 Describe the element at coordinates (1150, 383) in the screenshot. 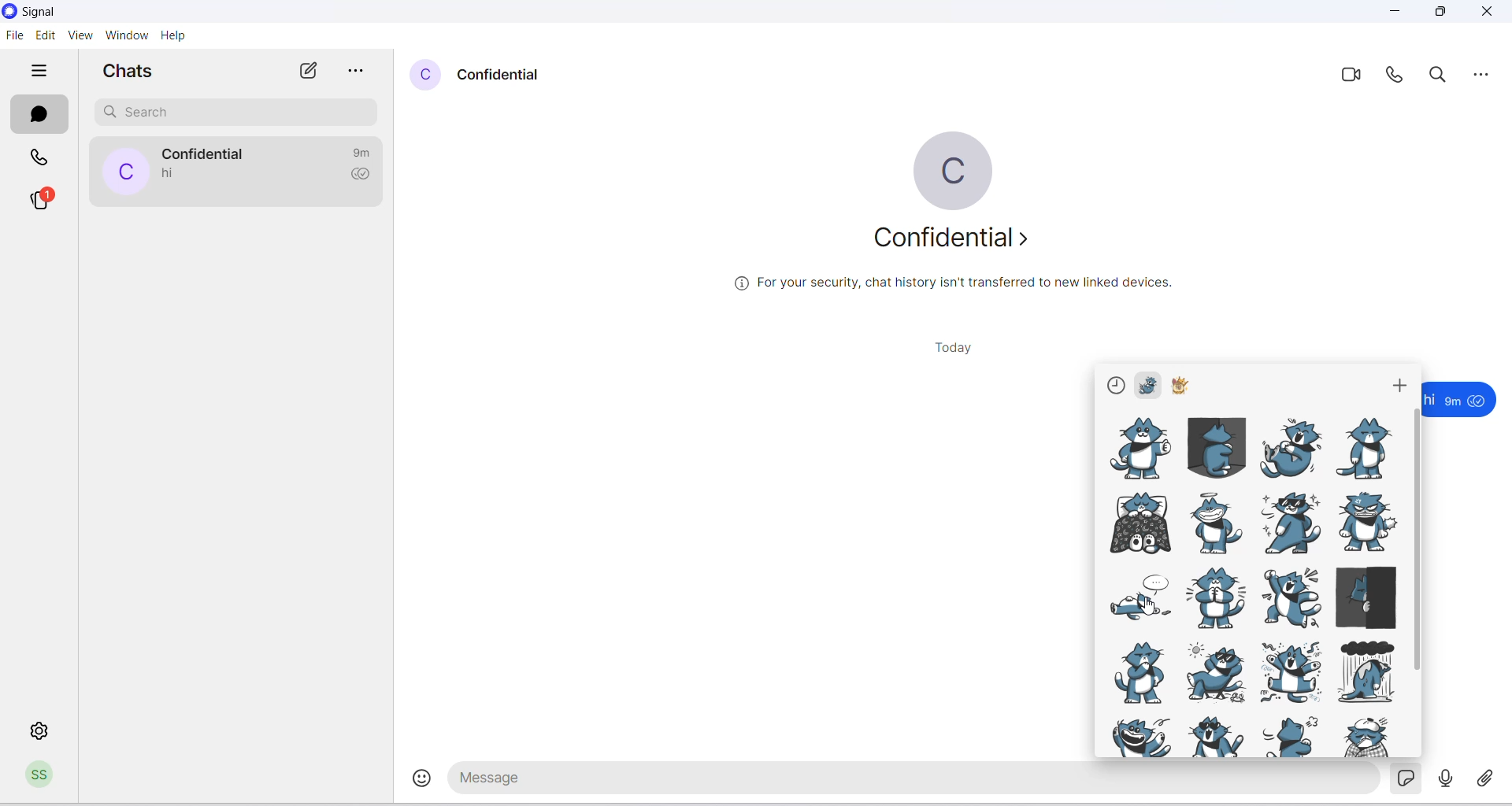

I see `cat sticker` at that location.